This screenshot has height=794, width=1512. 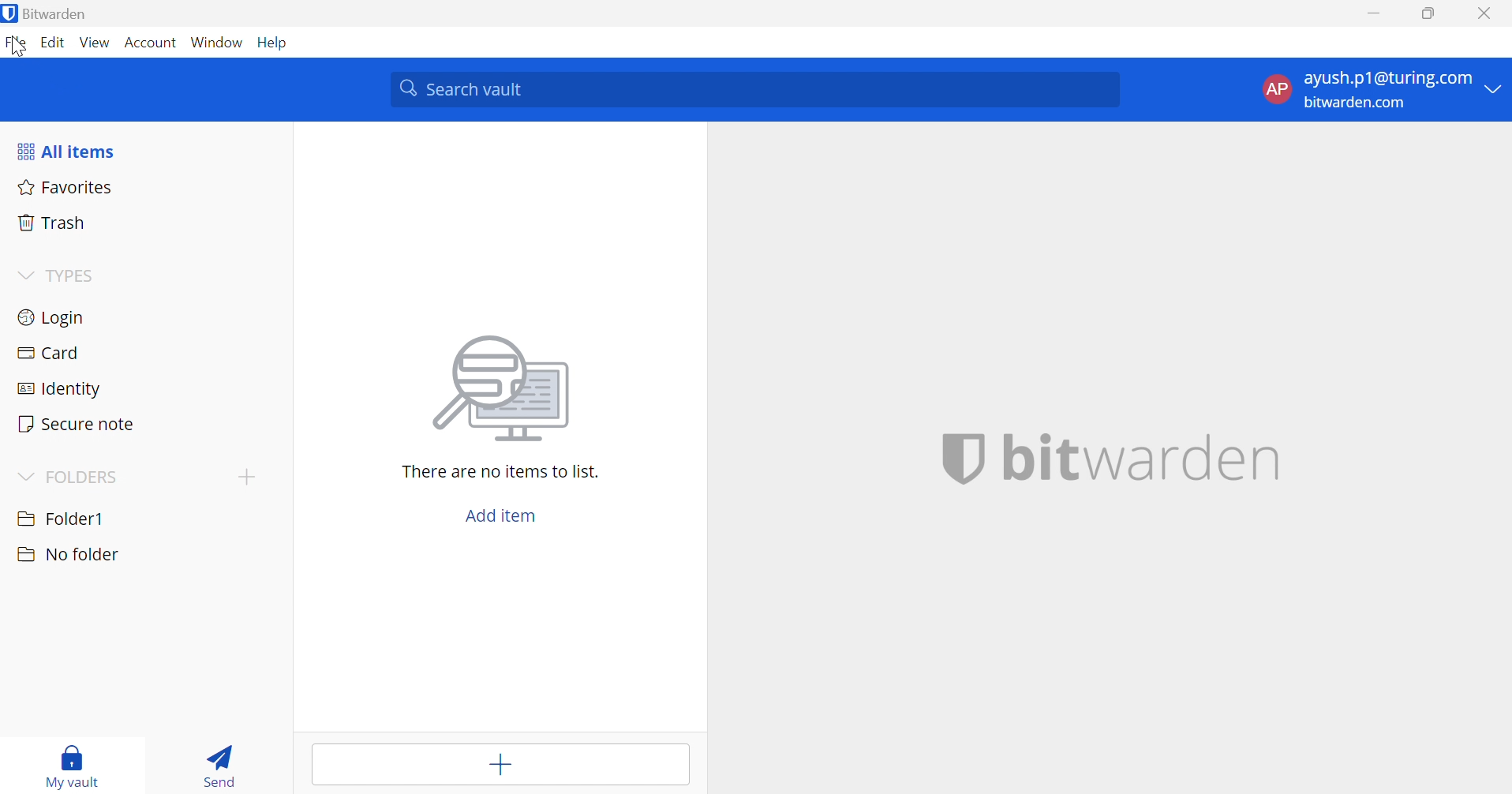 I want to click on There are no items to list, so click(x=503, y=472).